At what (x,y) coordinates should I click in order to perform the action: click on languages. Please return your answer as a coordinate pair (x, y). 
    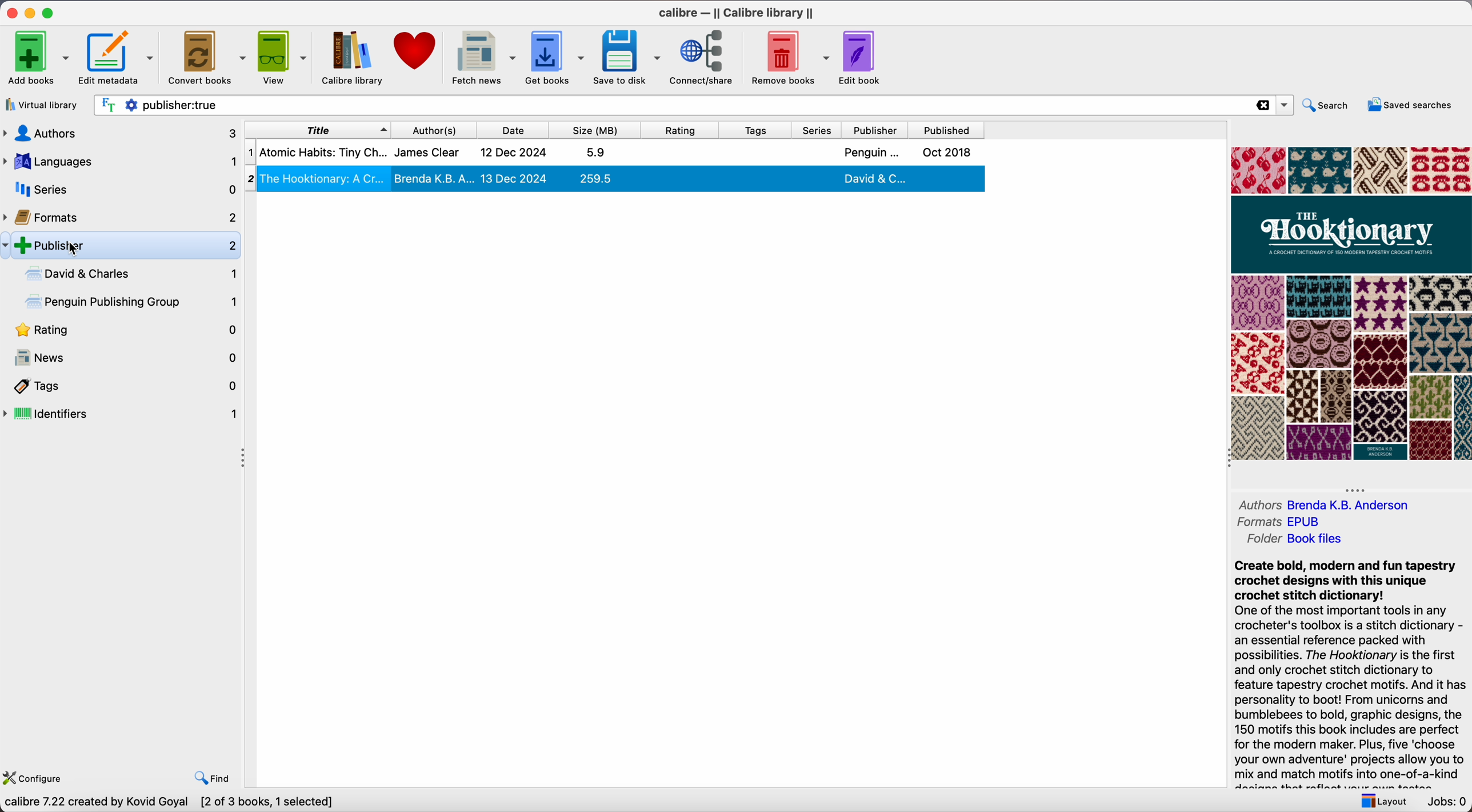
    Looking at the image, I should click on (119, 162).